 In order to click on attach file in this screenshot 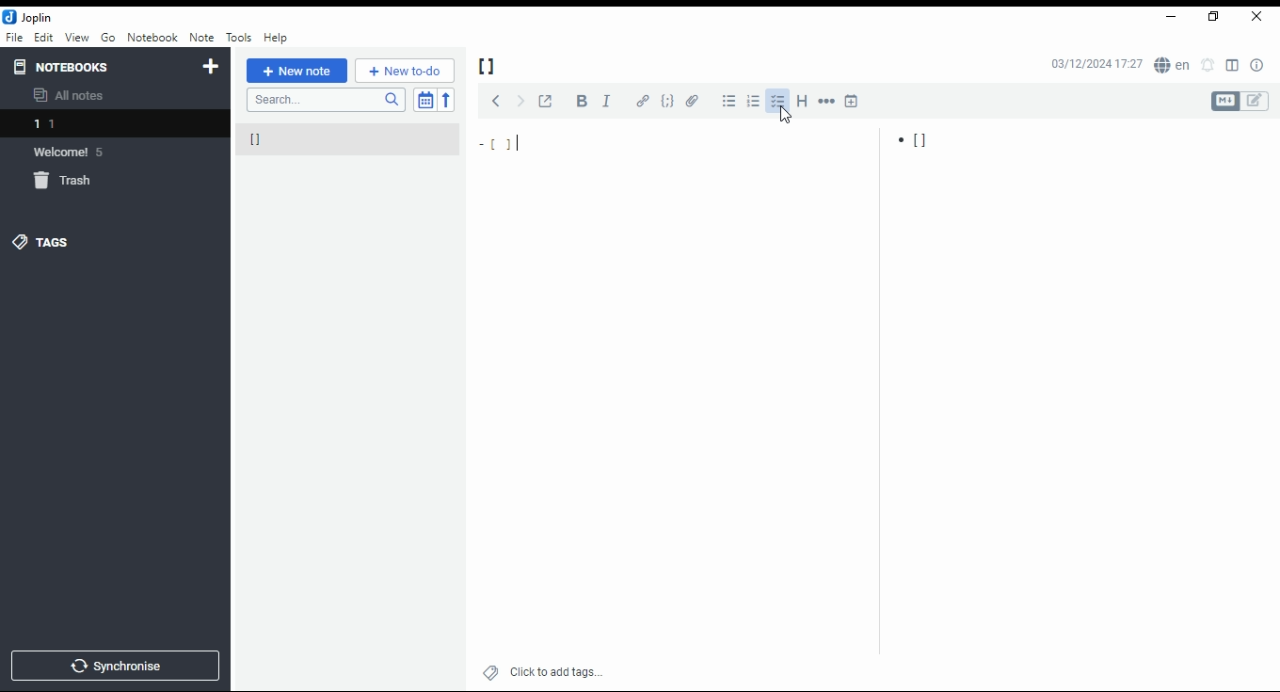, I will do `click(691, 102)`.